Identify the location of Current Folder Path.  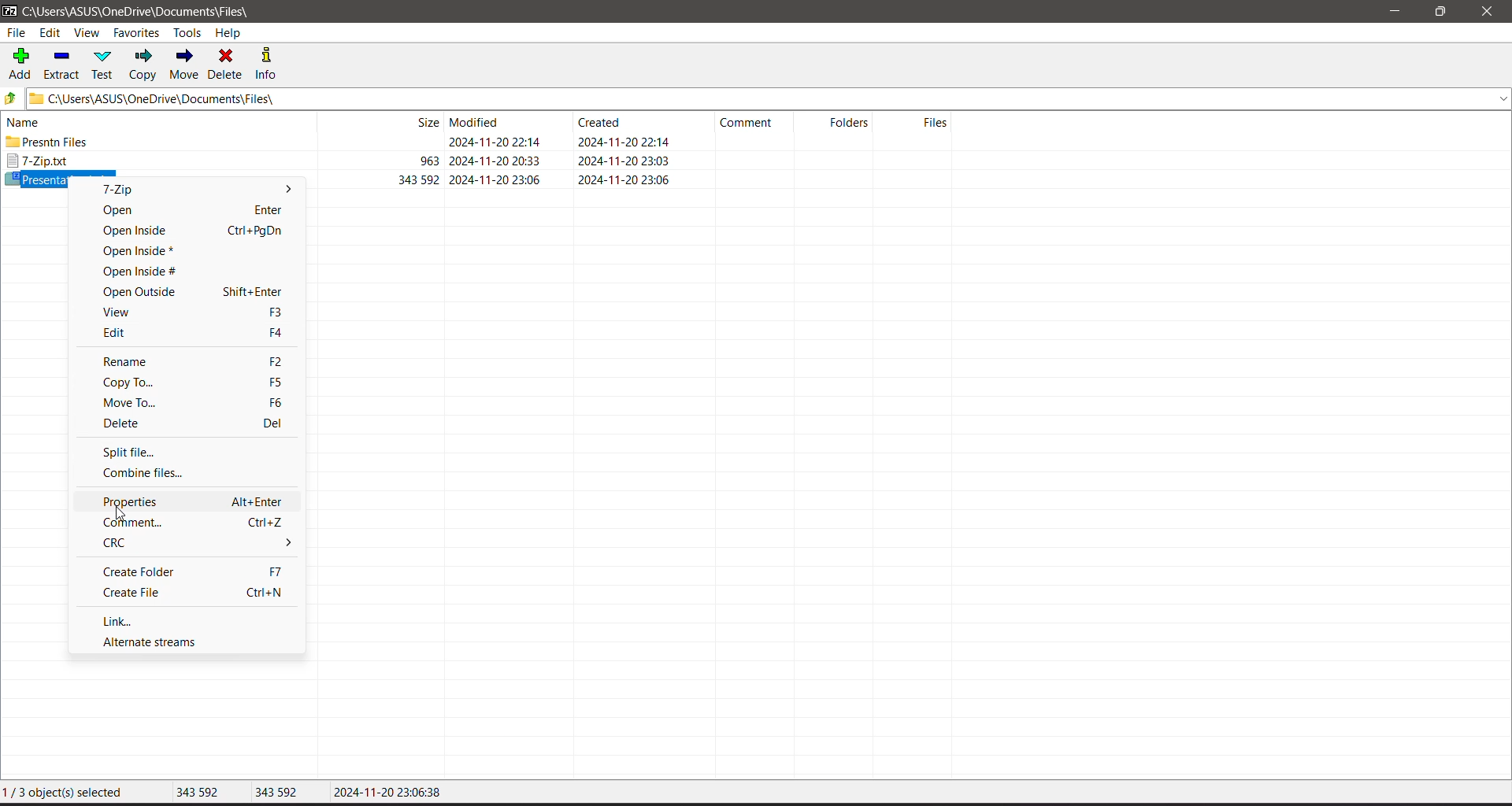
(769, 98).